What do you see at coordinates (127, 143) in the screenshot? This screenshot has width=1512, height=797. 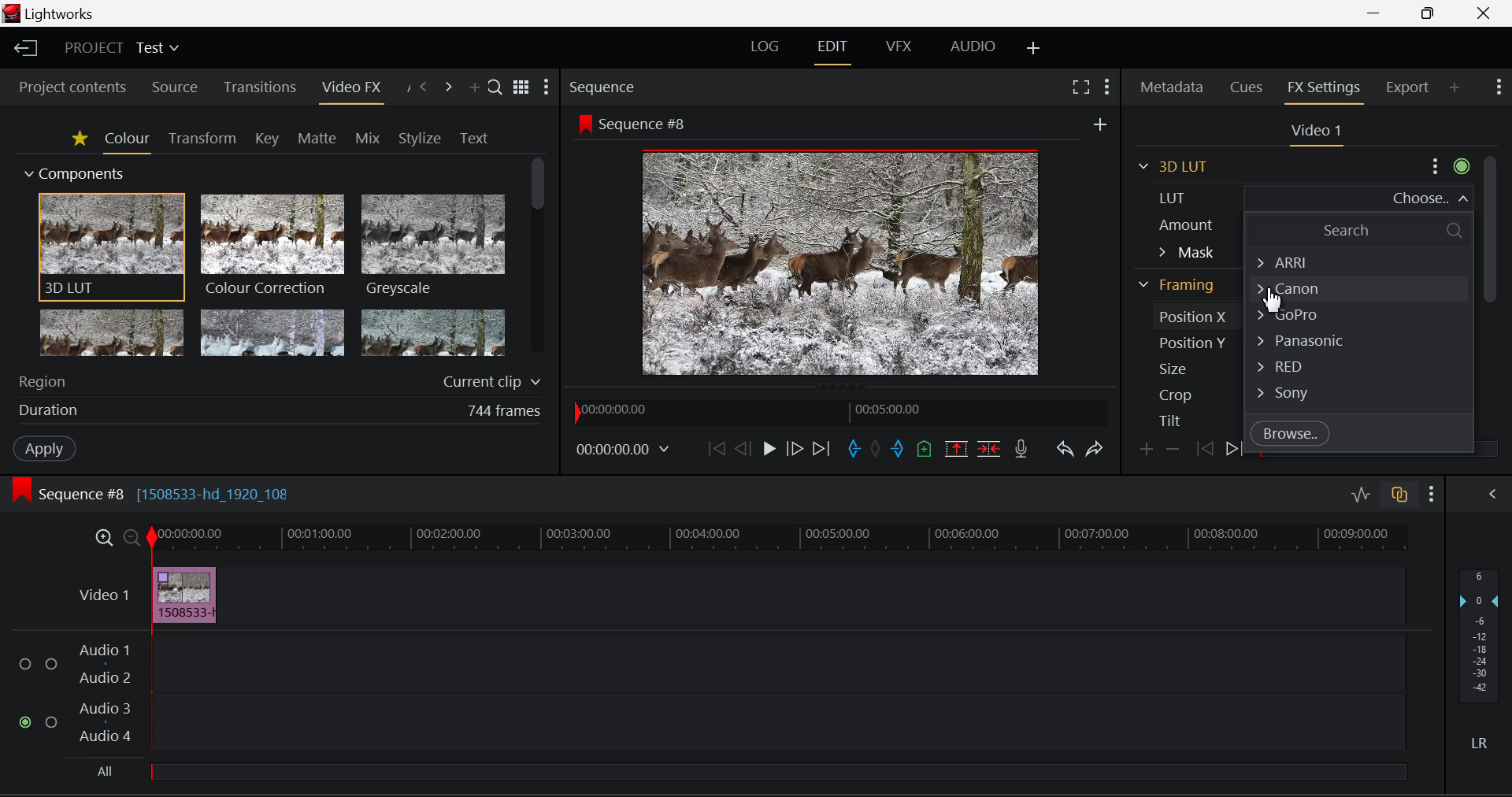 I see `Colour Tab Open` at bounding box center [127, 143].